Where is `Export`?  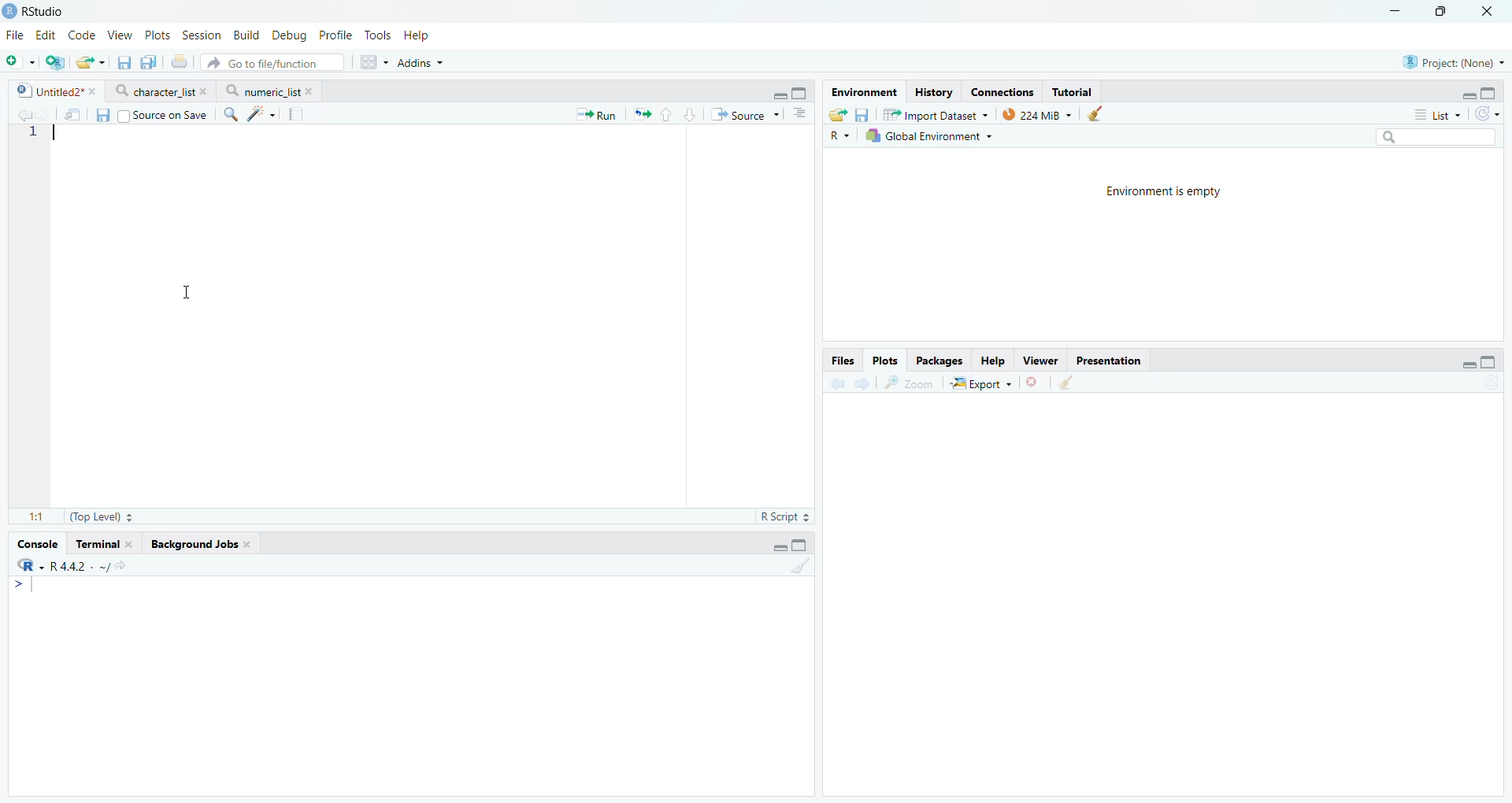
Export is located at coordinates (982, 383).